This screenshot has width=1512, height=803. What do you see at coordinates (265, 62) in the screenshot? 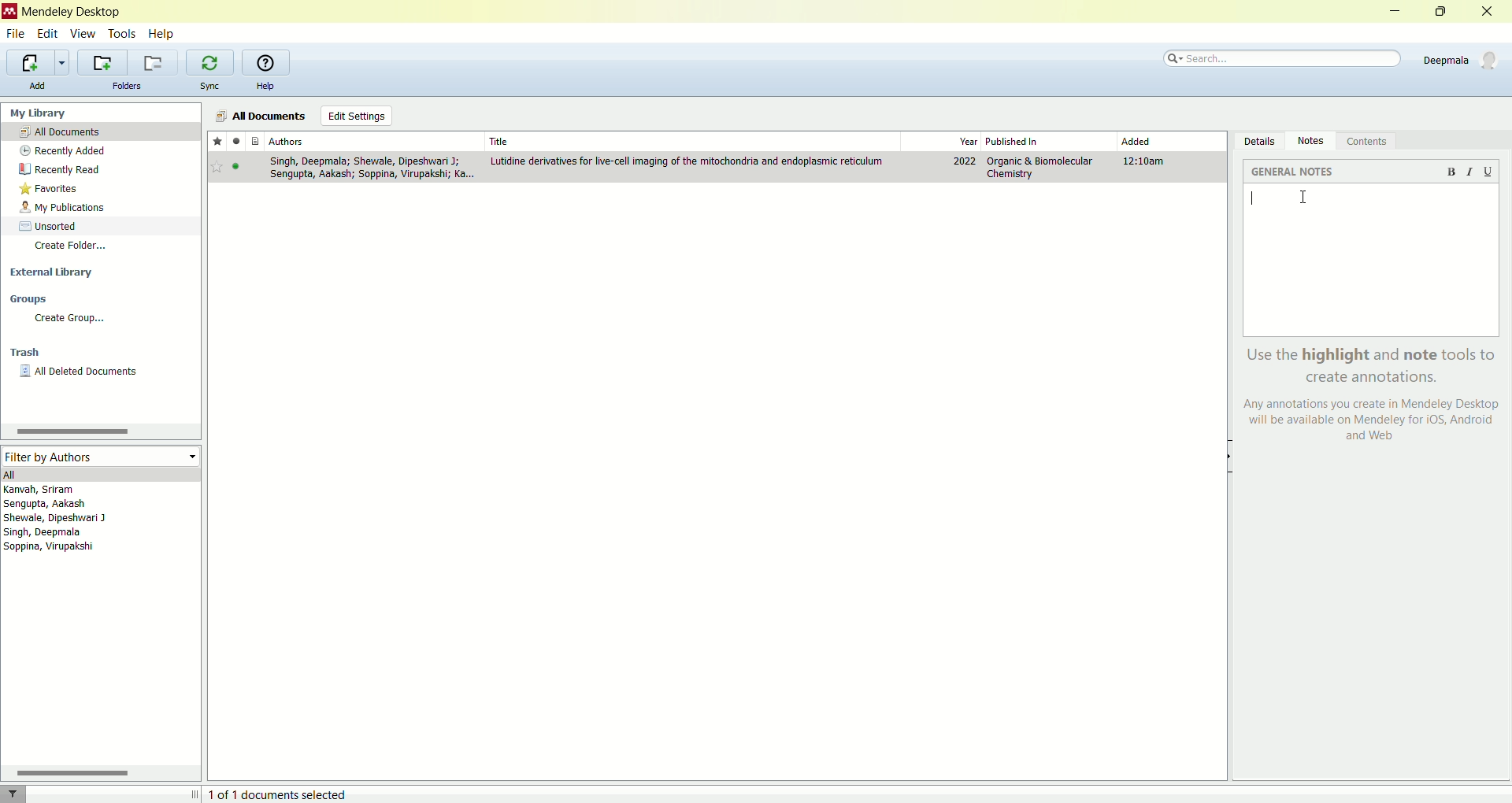
I see `open the online help guide for Mendeley` at bounding box center [265, 62].